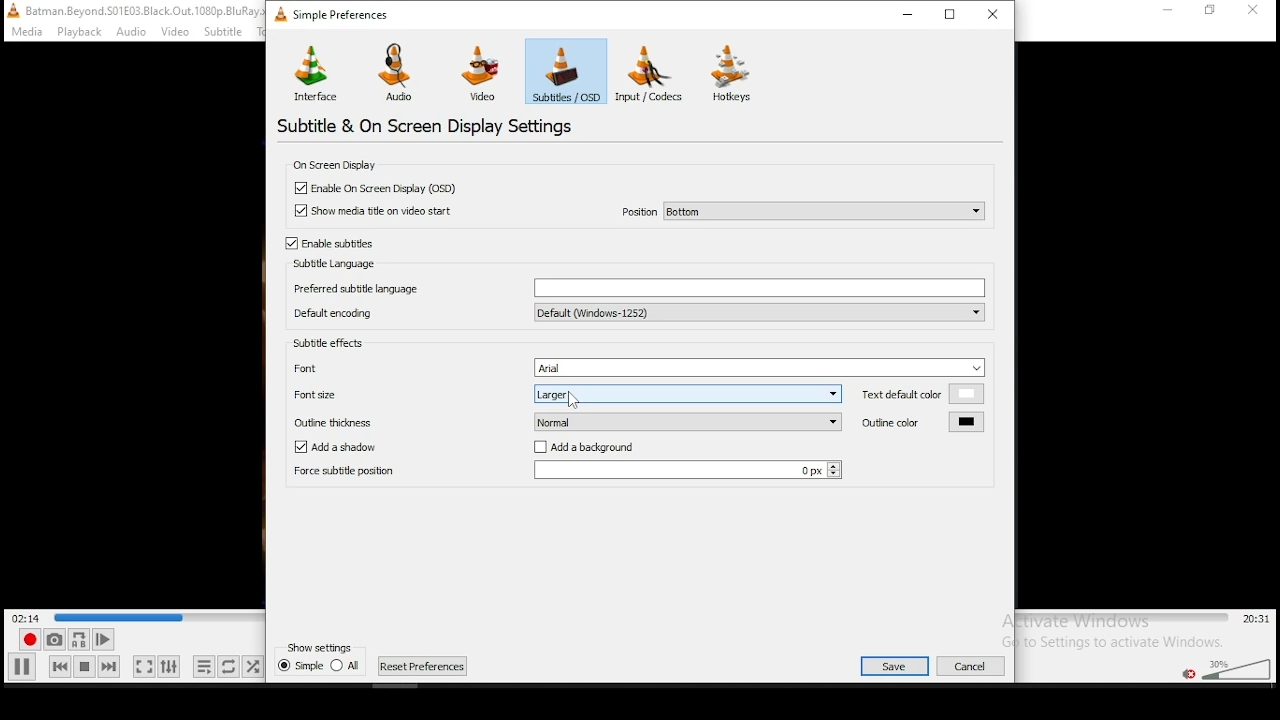  Describe the element at coordinates (640, 367) in the screenshot. I see `font` at that location.